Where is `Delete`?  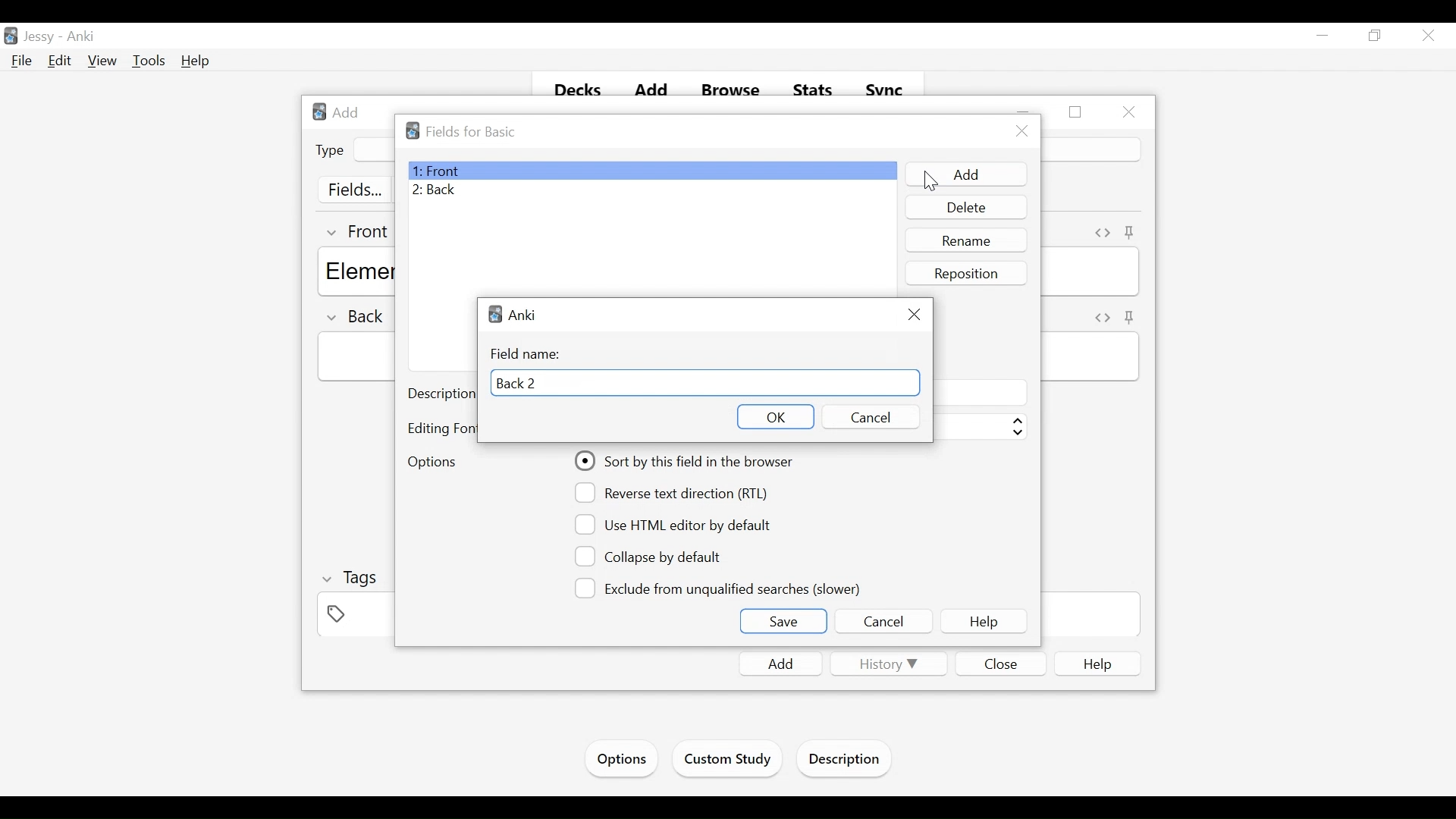
Delete is located at coordinates (966, 207).